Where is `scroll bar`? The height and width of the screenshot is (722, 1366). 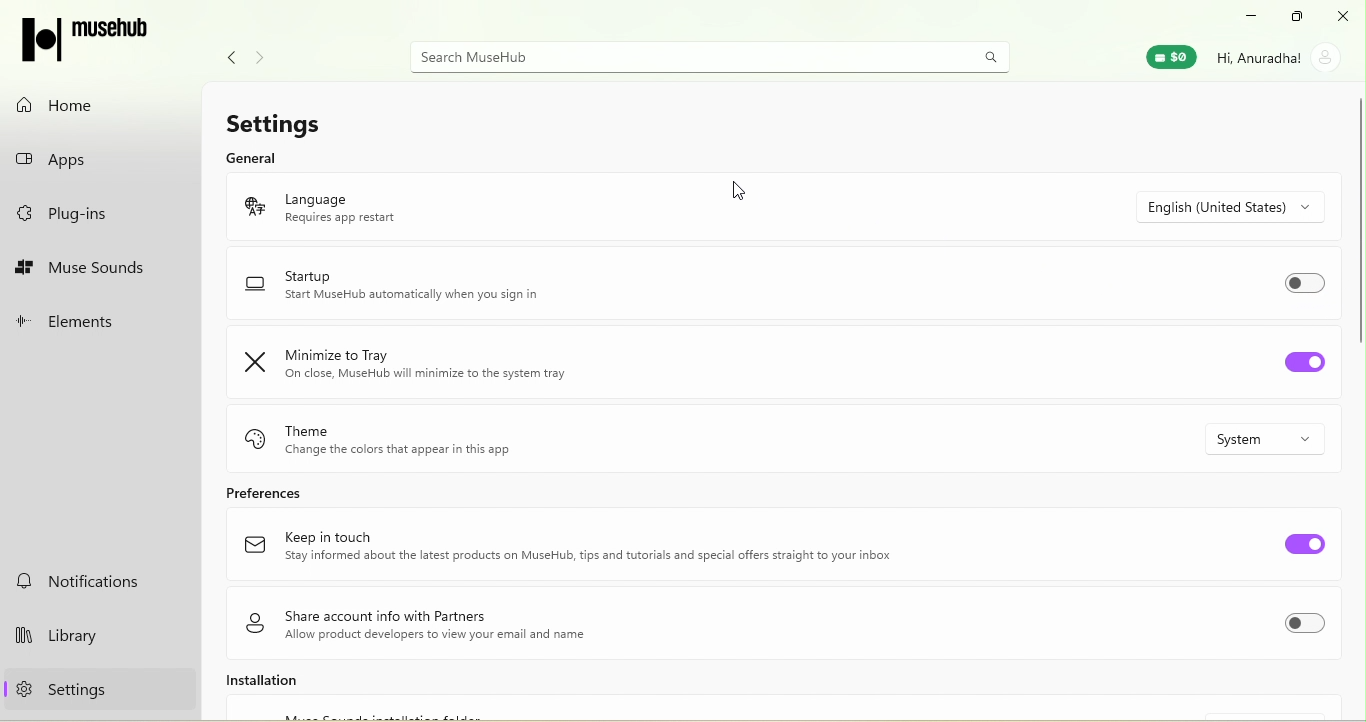
scroll bar is located at coordinates (1353, 223).